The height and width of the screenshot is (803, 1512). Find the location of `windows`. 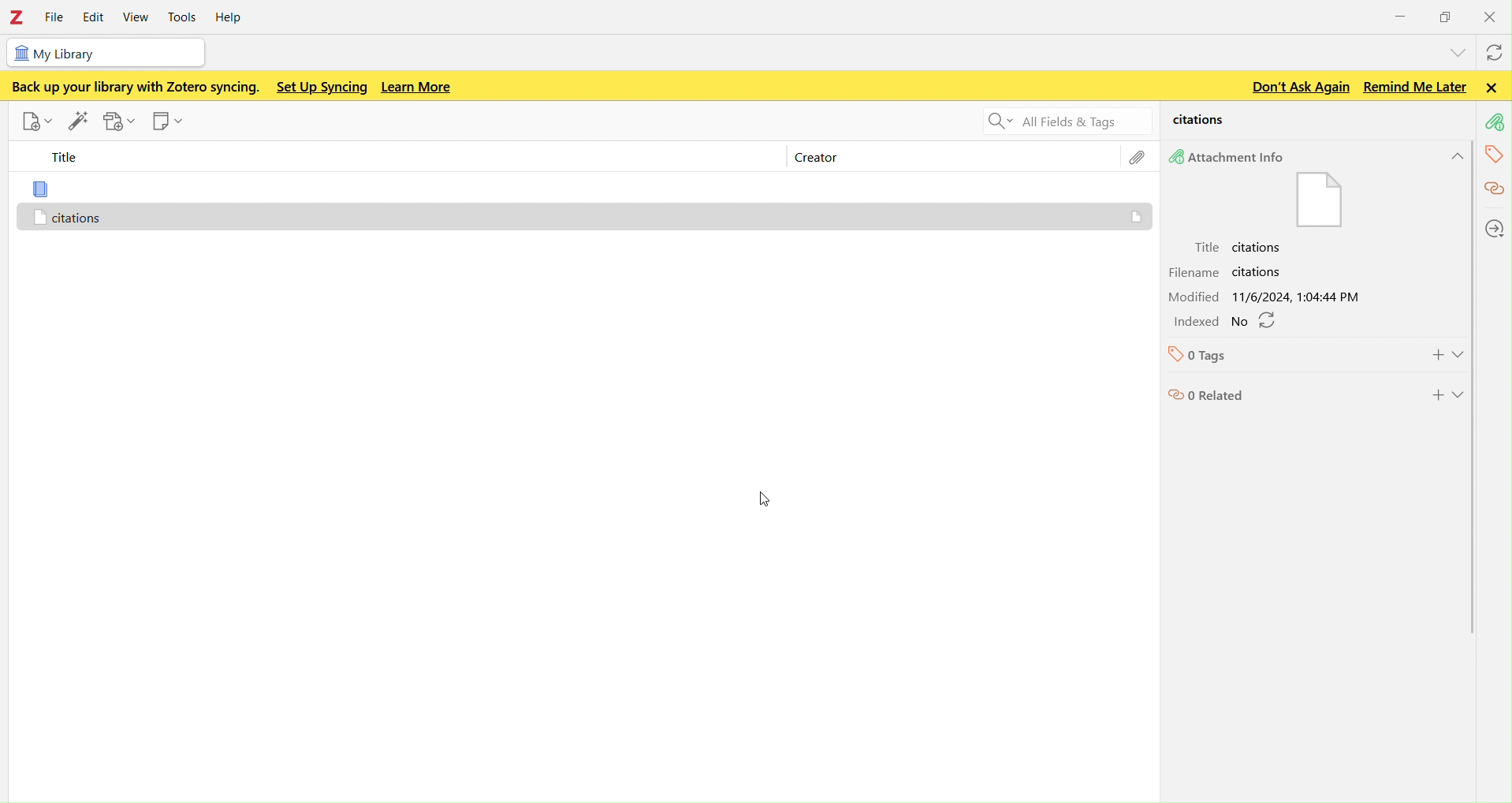

windows is located at coordinates (1447, 14).